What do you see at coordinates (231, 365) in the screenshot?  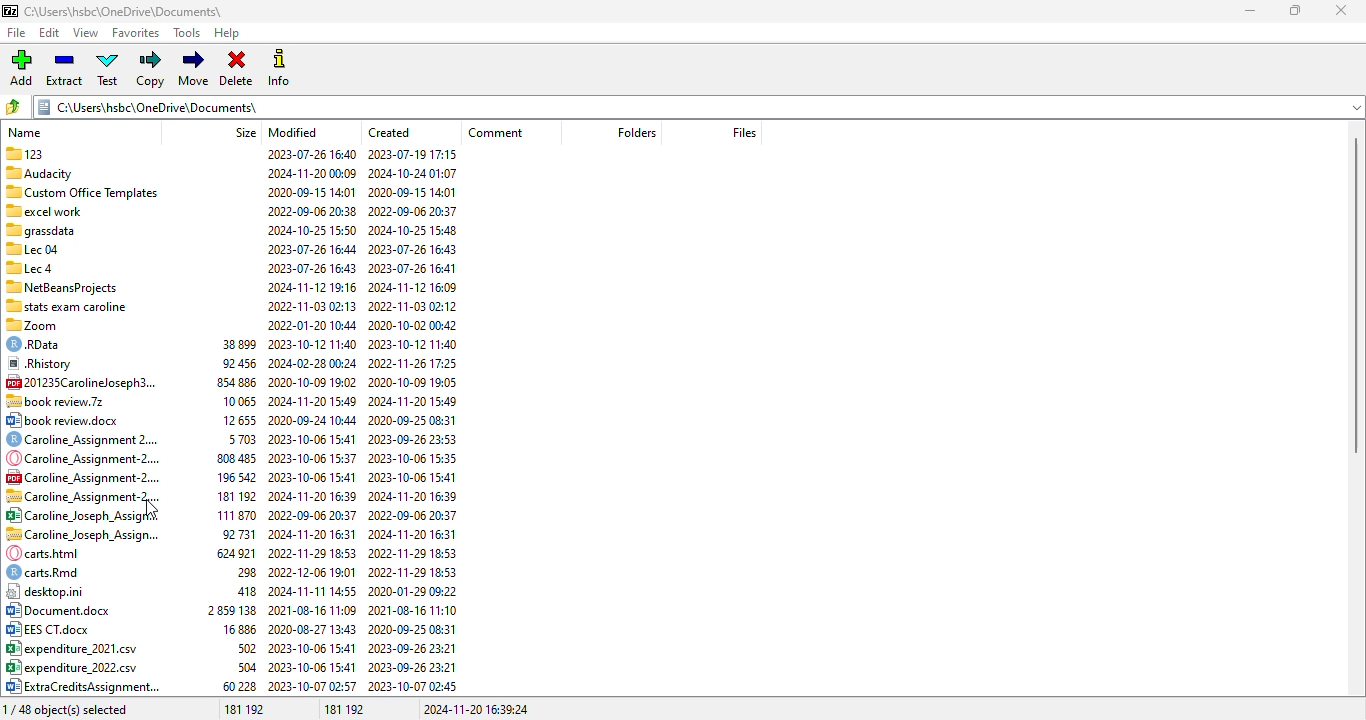 I see `.Rhistory 92456 2024-02-28 00:24 2022-11-26 17:25` at bounding box center [231, 365].